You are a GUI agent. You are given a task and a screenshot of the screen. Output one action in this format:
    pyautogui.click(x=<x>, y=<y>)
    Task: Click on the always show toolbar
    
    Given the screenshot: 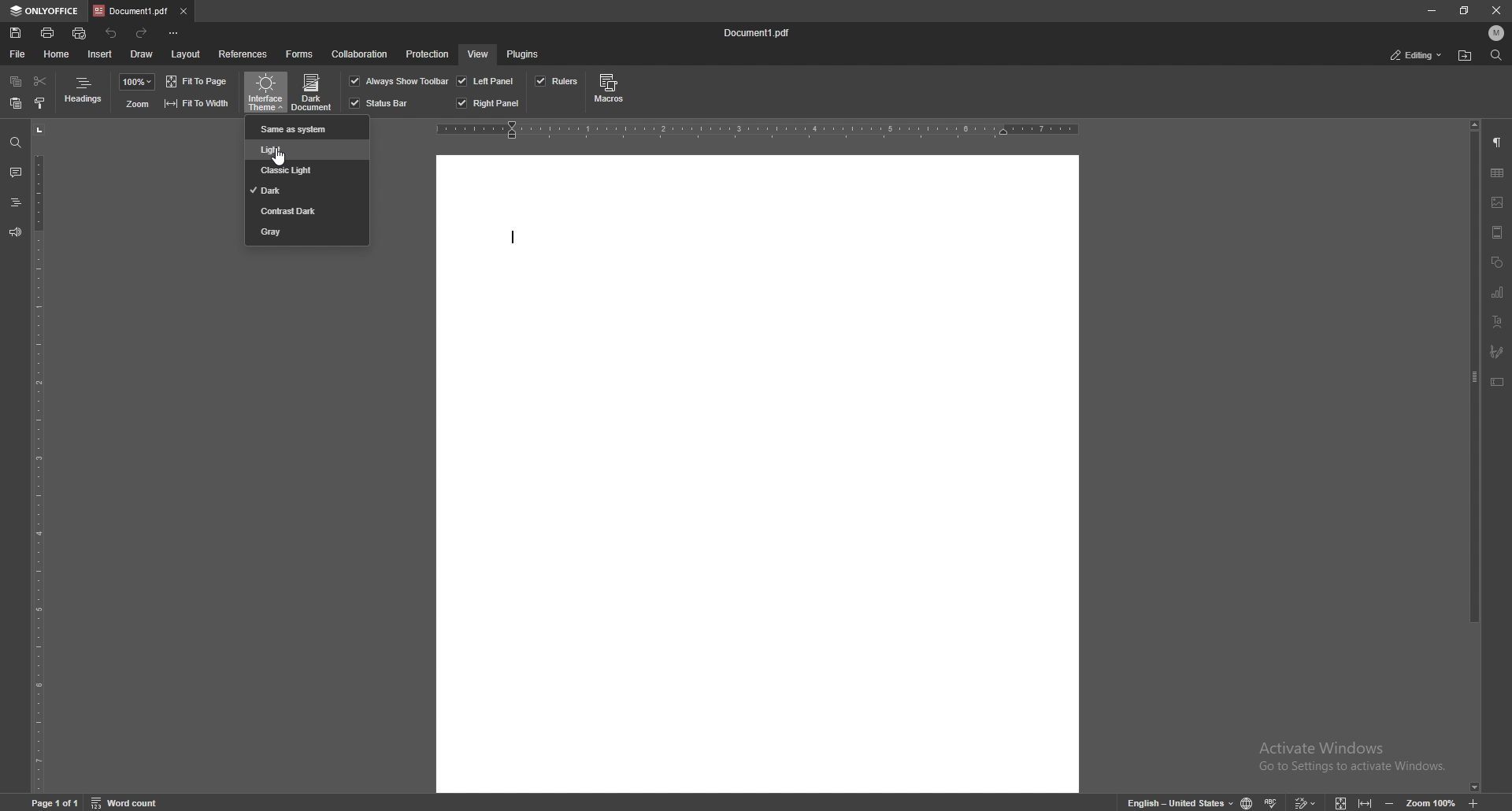 What is the action you would take?
    pyautogui.click(x=397, y=81)
    